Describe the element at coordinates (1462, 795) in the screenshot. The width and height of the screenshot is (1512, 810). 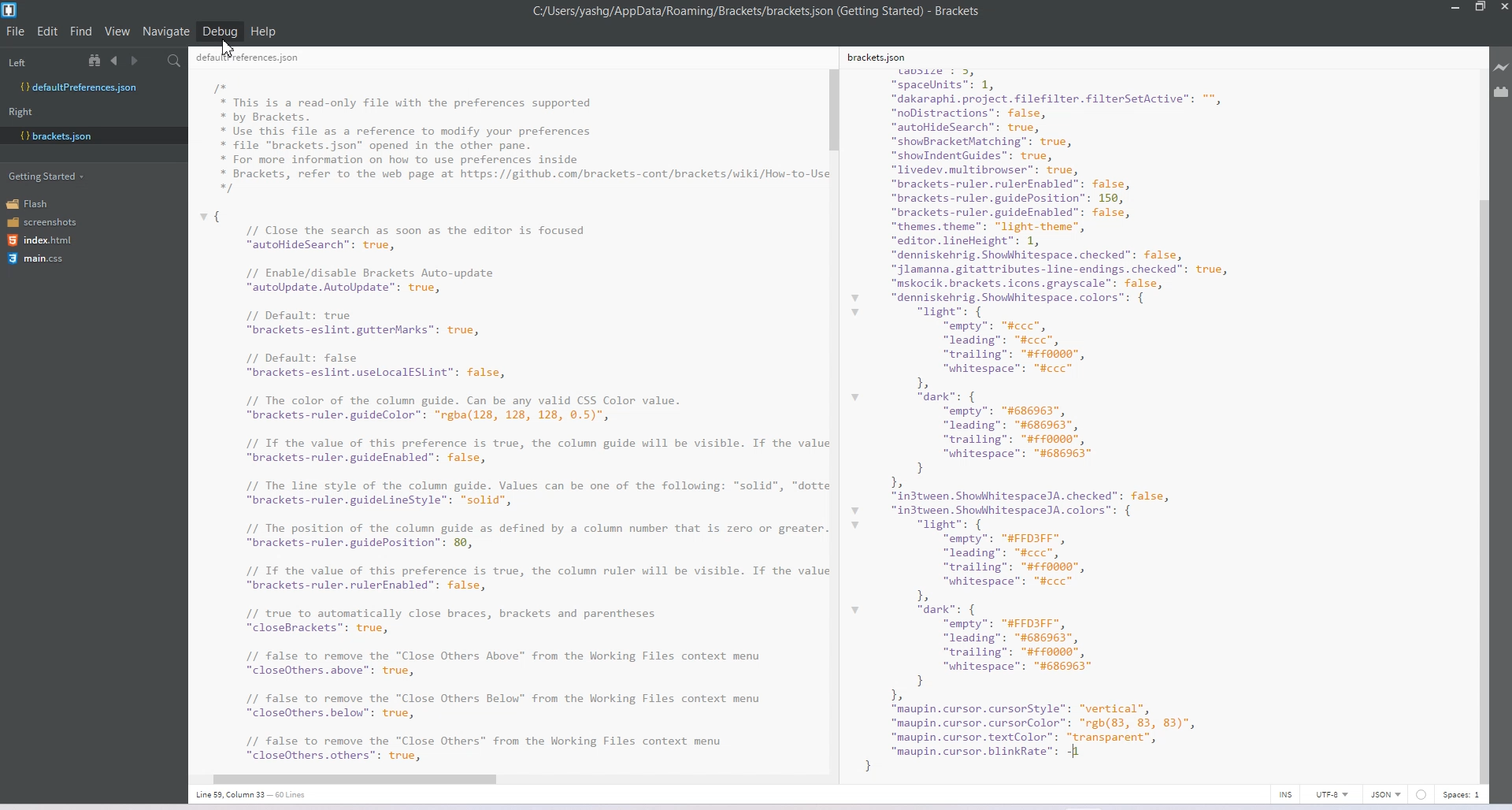
I see `Spaces 1` at that location.